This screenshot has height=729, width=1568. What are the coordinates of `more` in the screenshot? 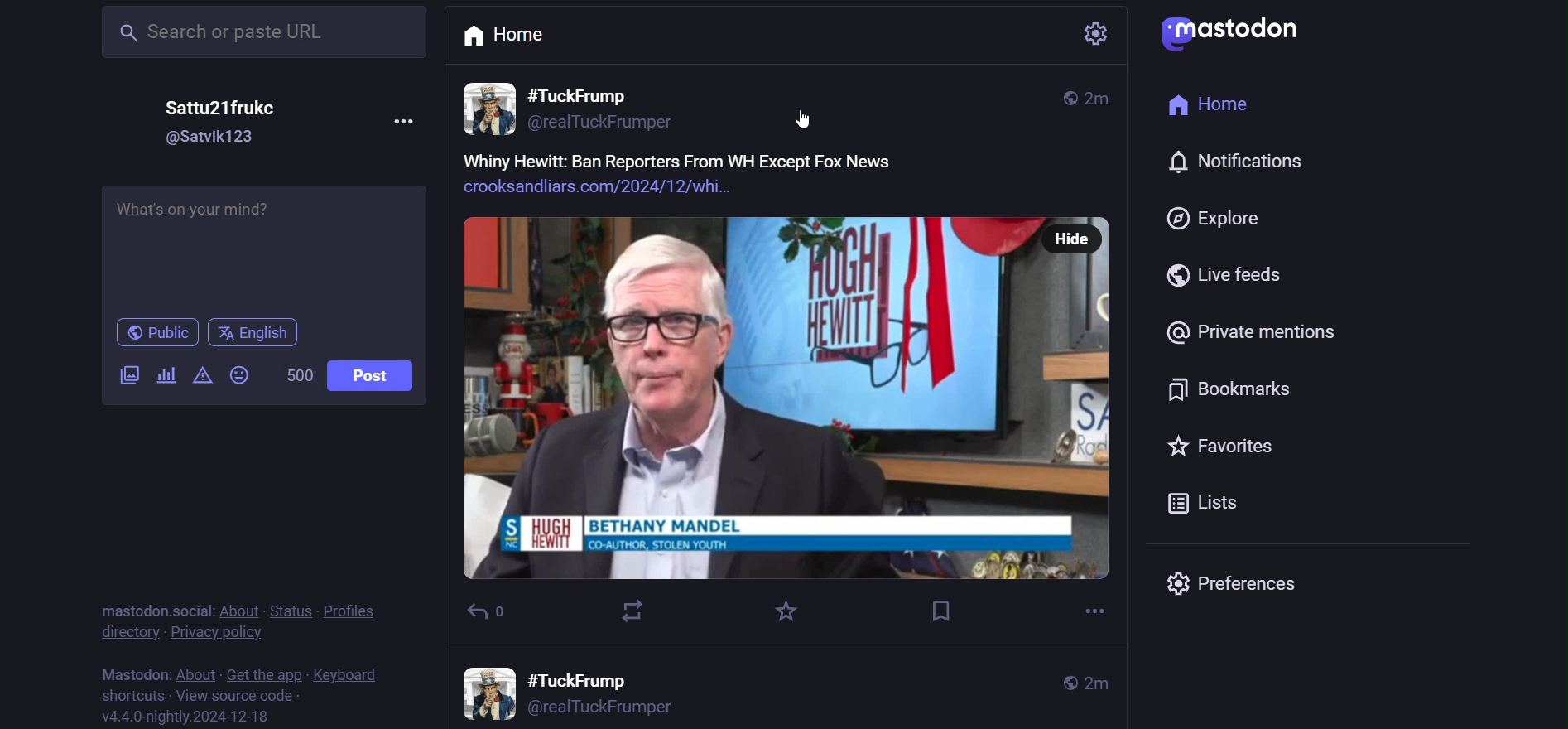 It's located at (411, 121).